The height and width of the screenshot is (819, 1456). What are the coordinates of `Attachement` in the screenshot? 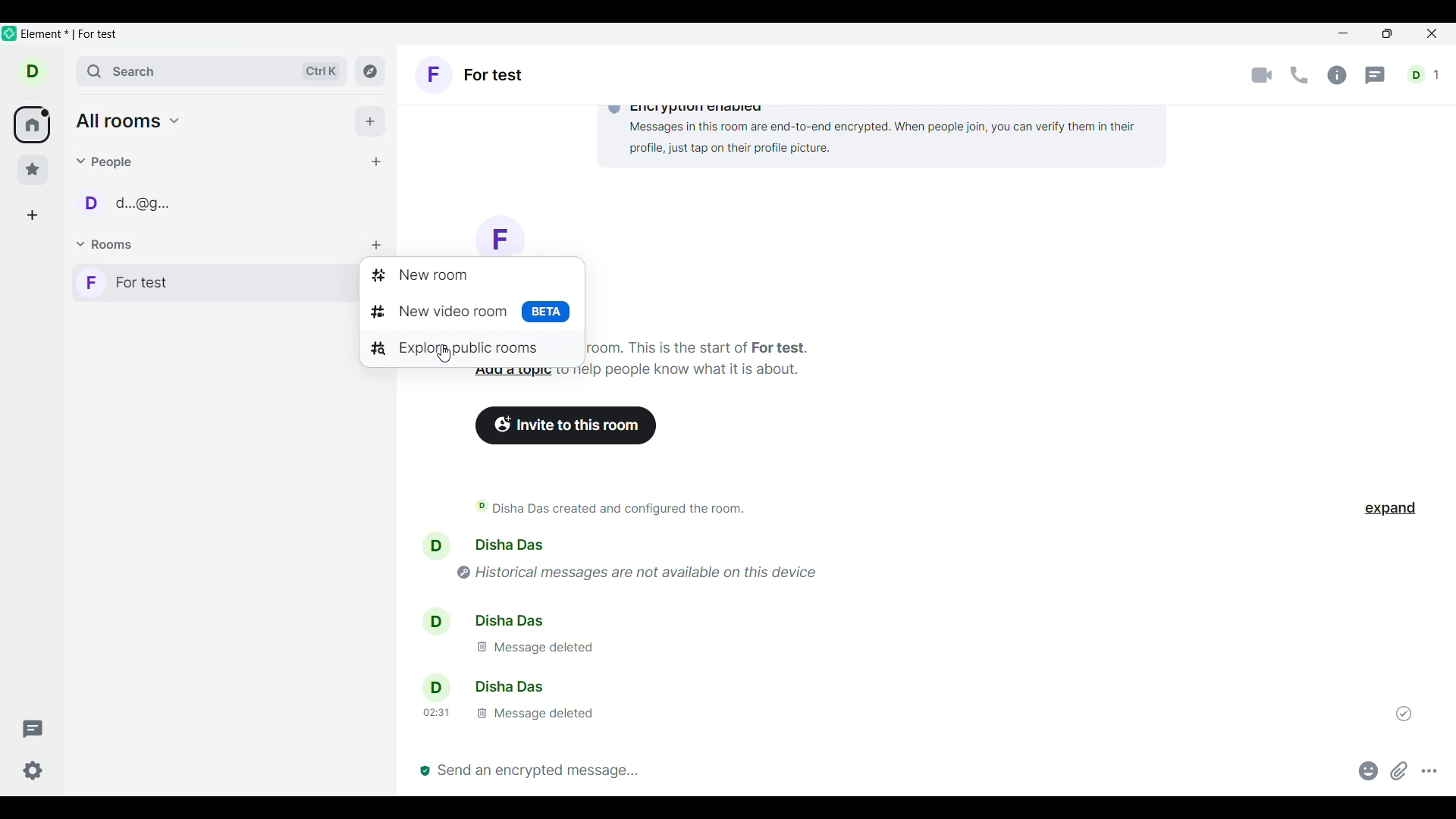 It's located at (1399, 771).